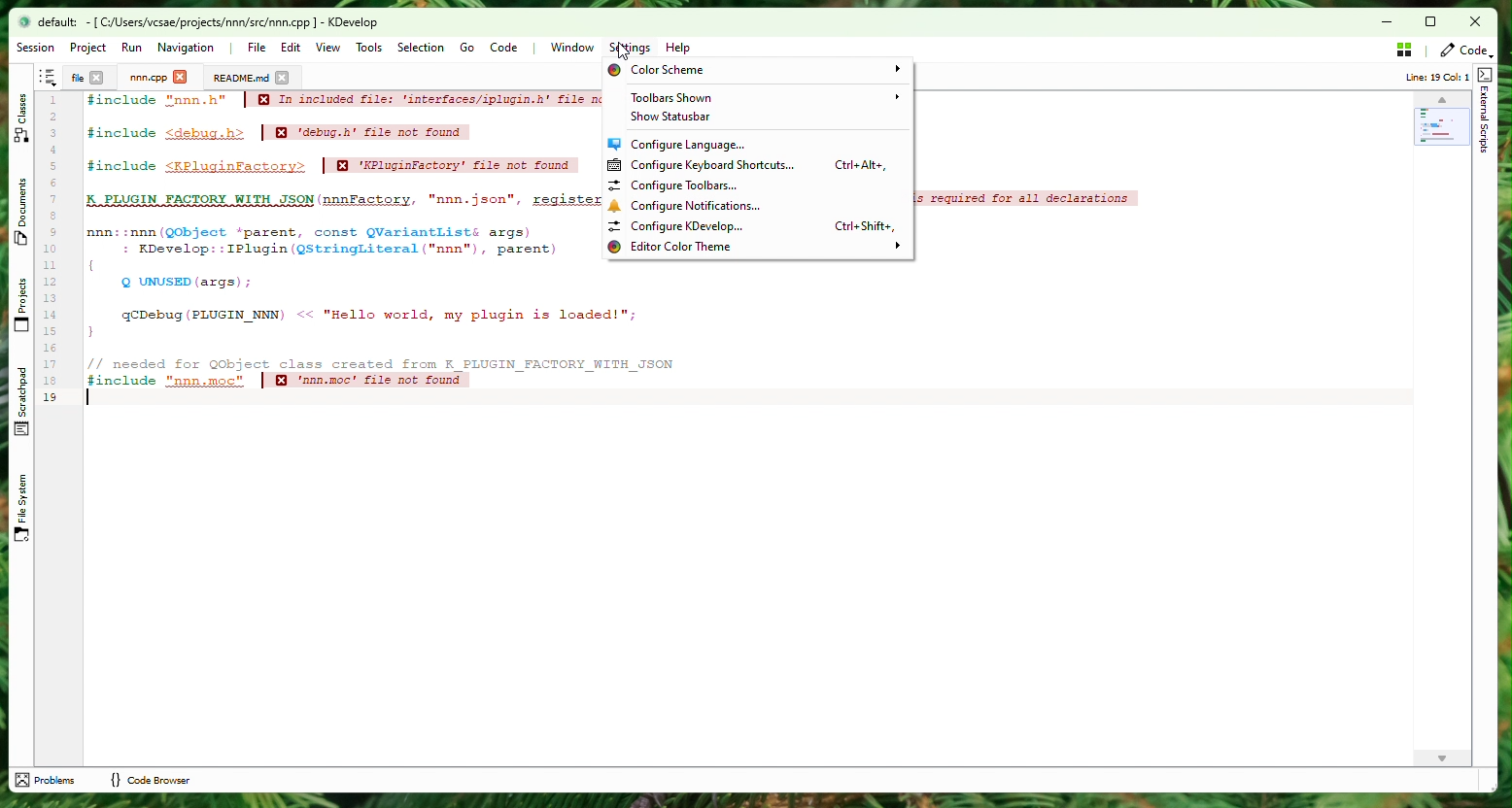 This screenshot has height=808, width=1512. Describe the element at coordinates (22, 209) in the screenshot. I see `Documents` at that location.